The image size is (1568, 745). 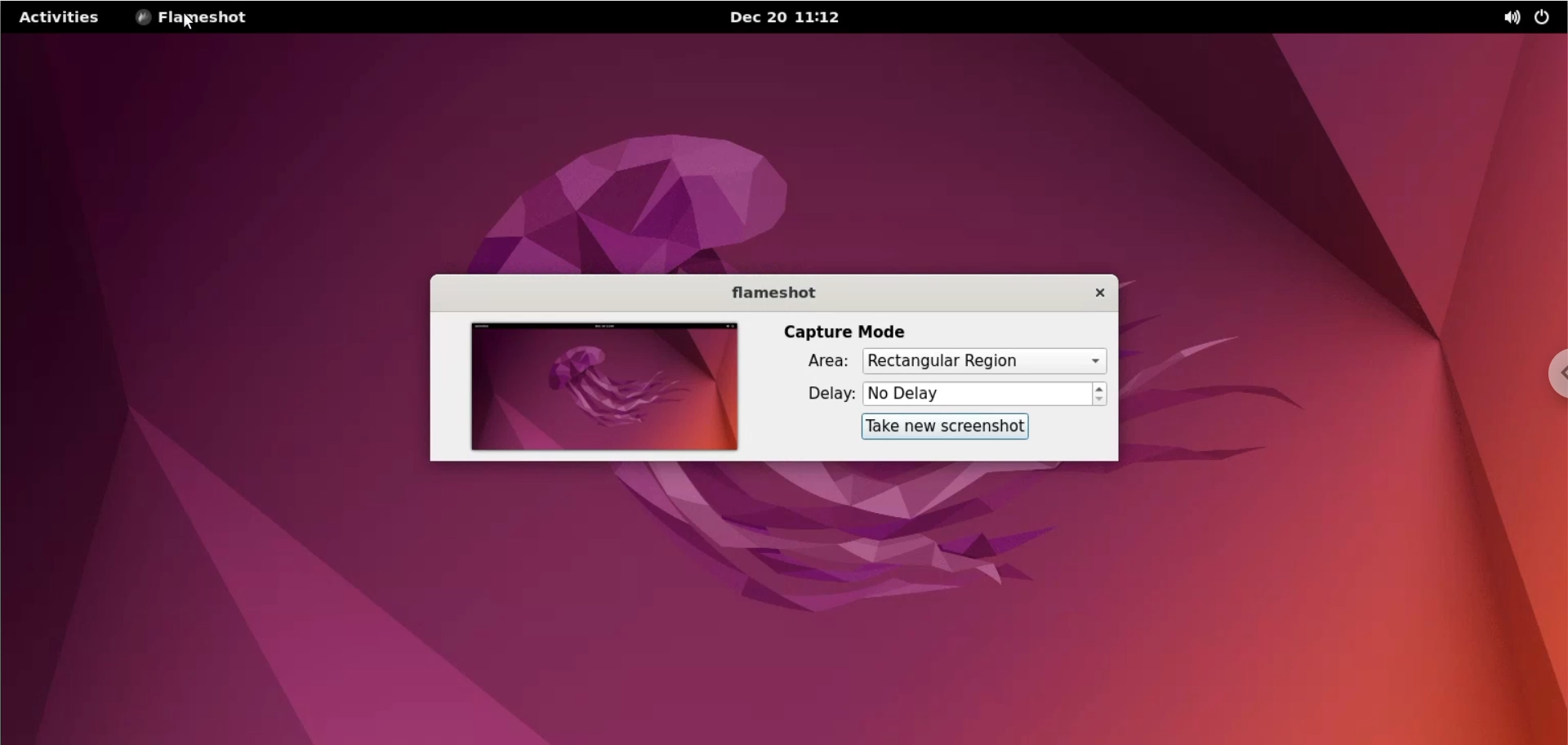 What do you see at coordinates (977, 394) in the screenshot?
I see `No Delay` at bounding box center [977, 394].